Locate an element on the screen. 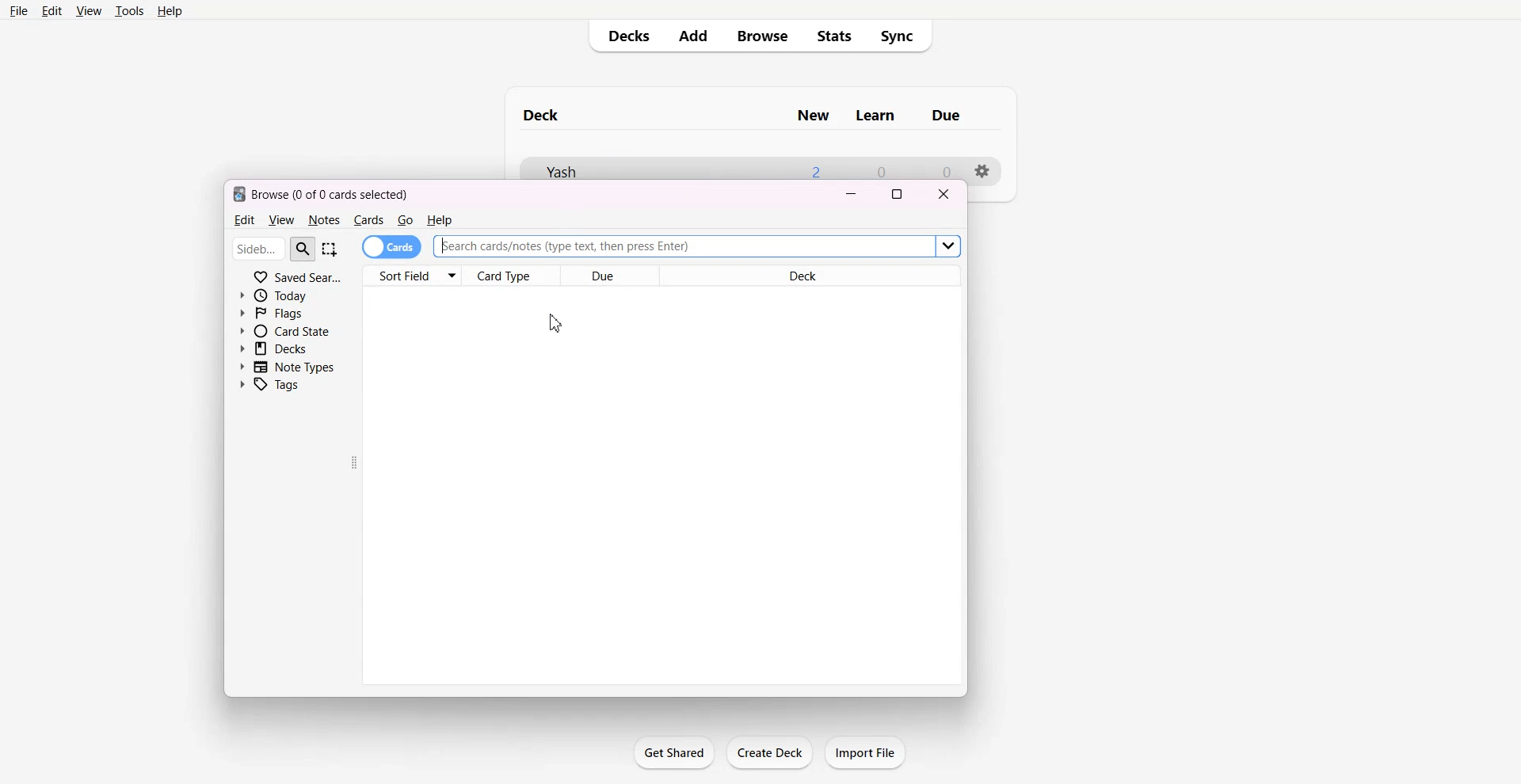  Browse (0 of 0 cards selected) is located at coordinates (337, 194).